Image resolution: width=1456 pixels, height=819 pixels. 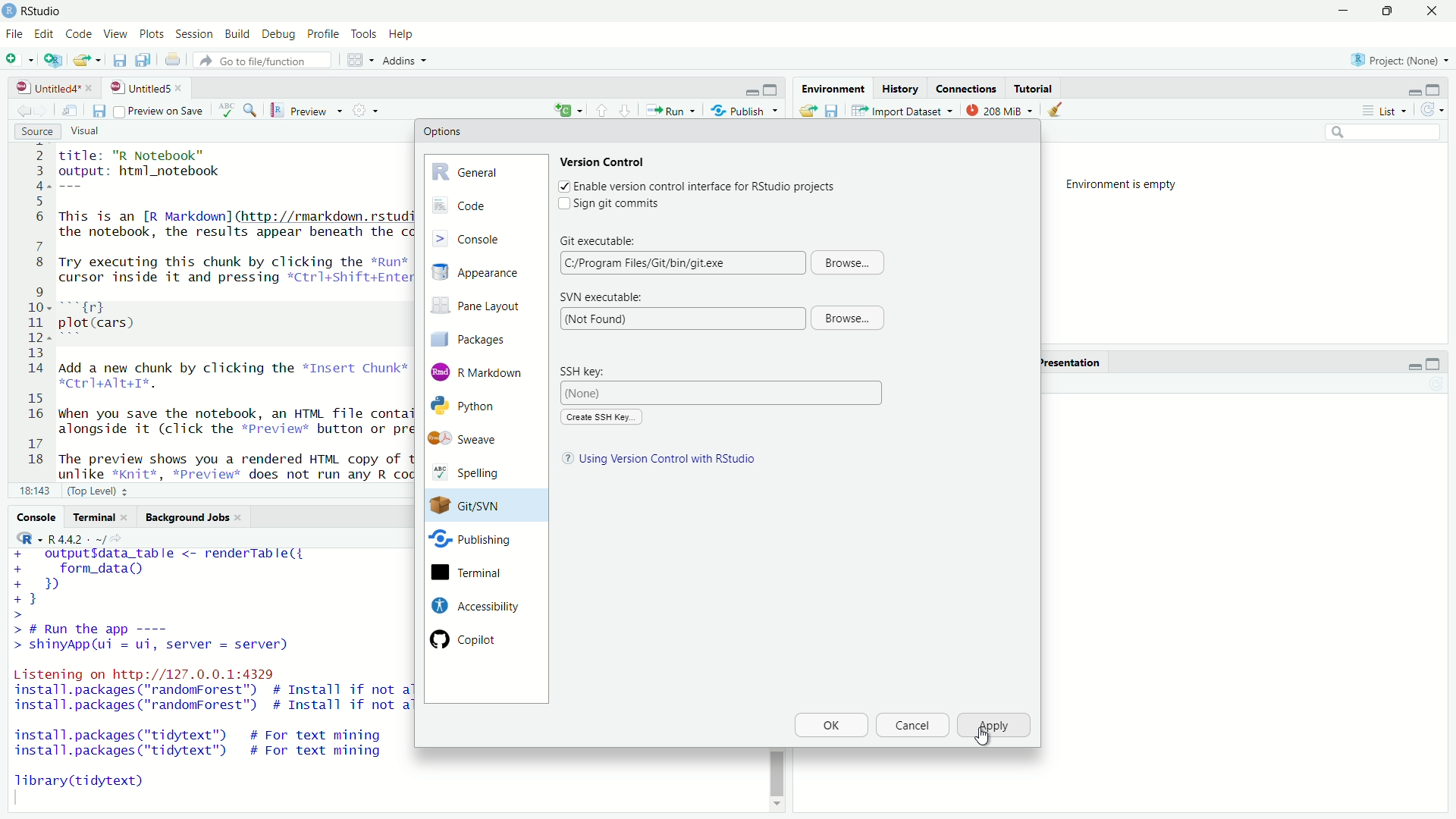 What do you see at coordinates (752, 91) in the screenshot?
I see `minimize` at bounding box center [752, 91].